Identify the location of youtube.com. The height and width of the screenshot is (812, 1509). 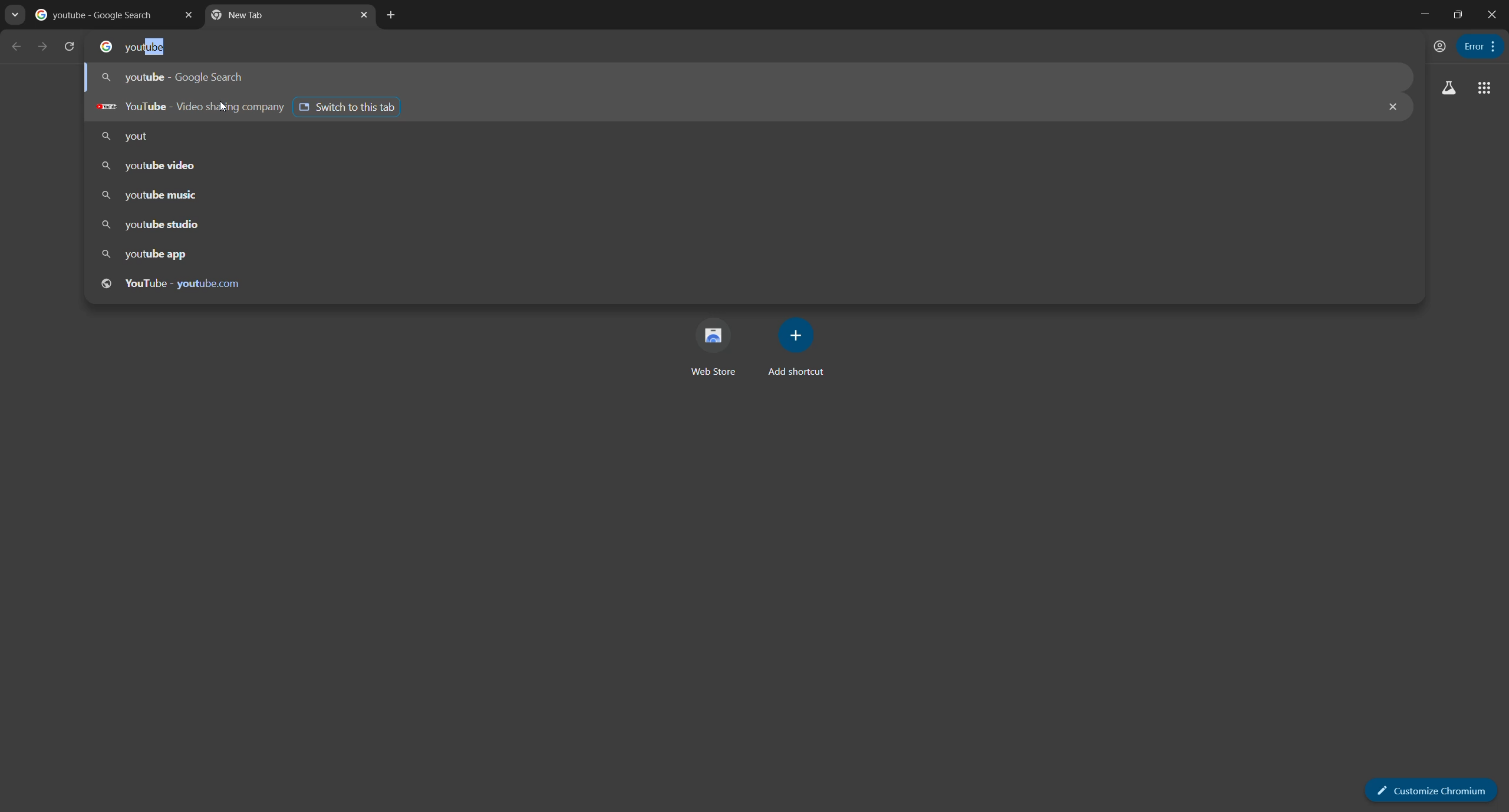
(175, 282).